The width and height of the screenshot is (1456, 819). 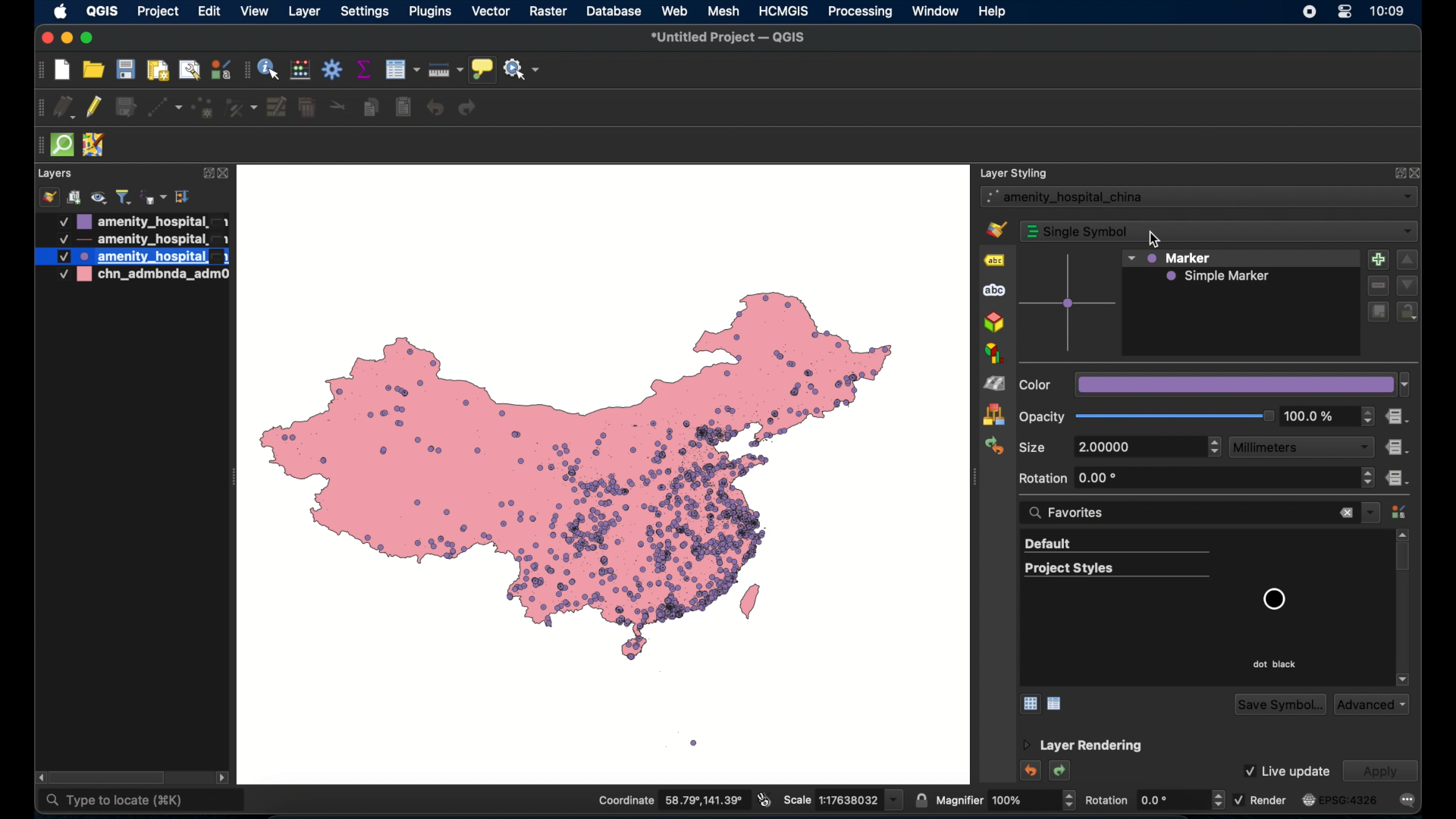 I want to click on symbology, so click(x=999, y=230).